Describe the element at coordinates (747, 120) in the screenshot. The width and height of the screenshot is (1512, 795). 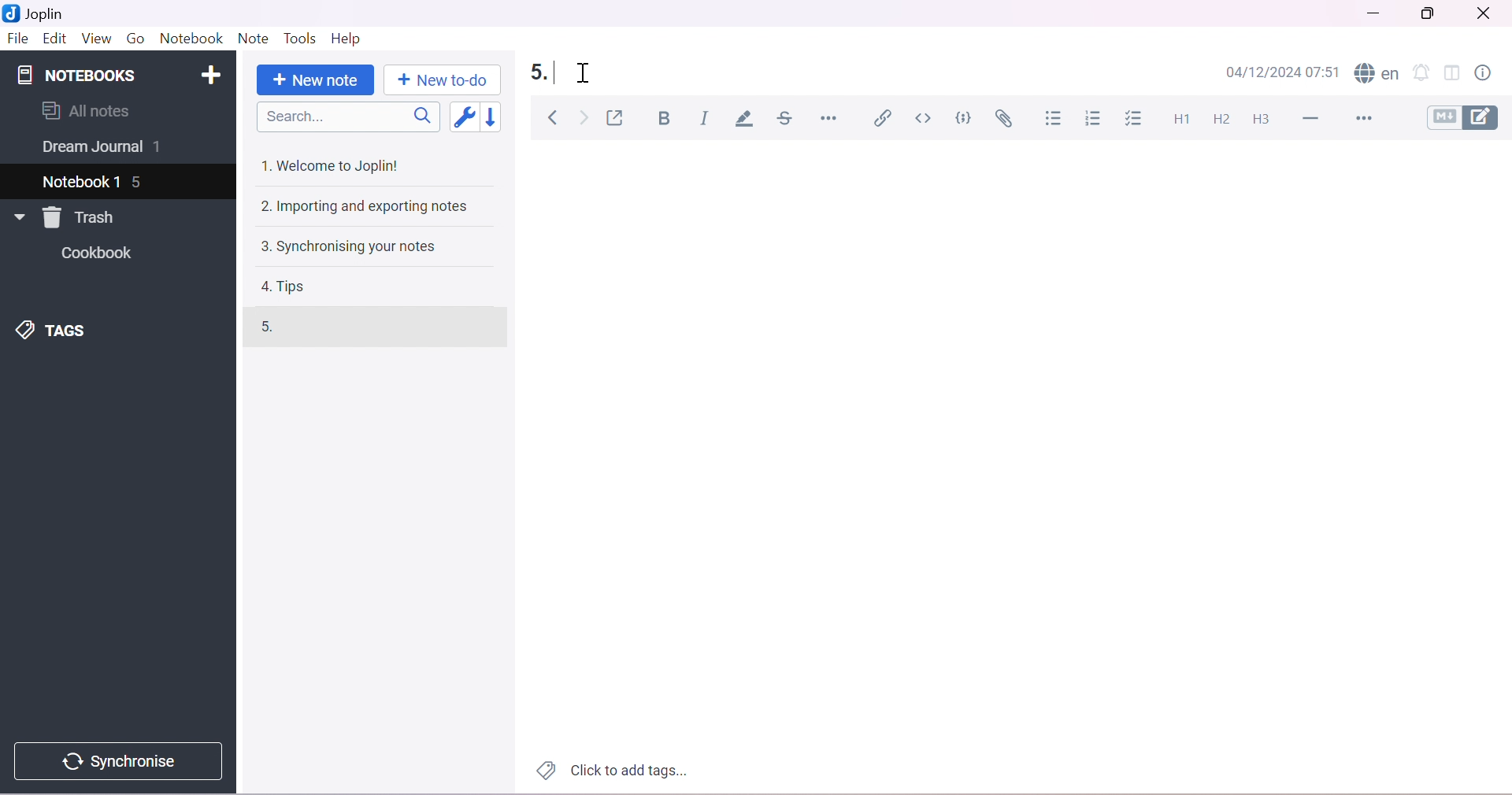
I see `Highlight` at that location.